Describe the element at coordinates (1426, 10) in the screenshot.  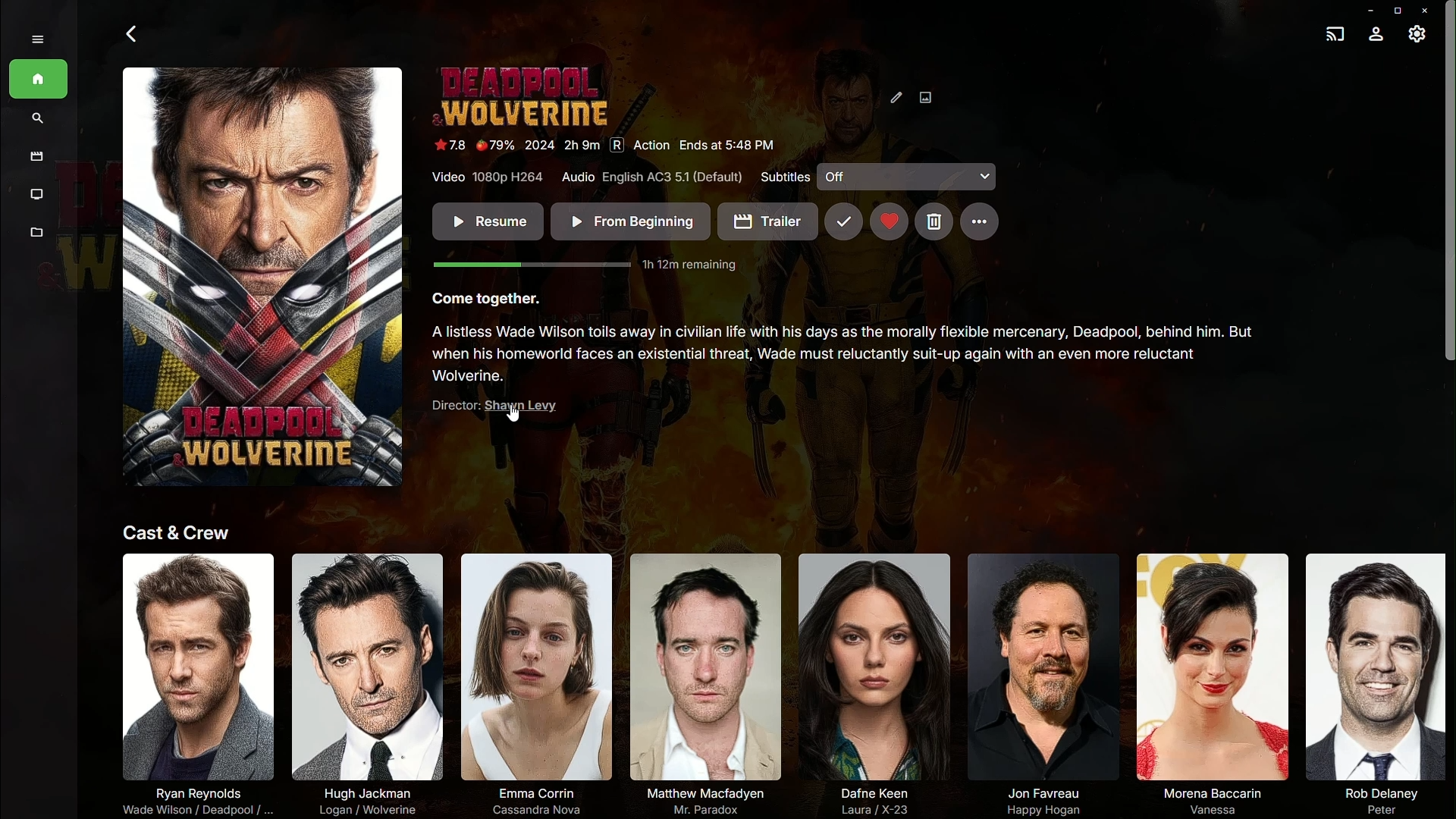
I see `Close` at that location.